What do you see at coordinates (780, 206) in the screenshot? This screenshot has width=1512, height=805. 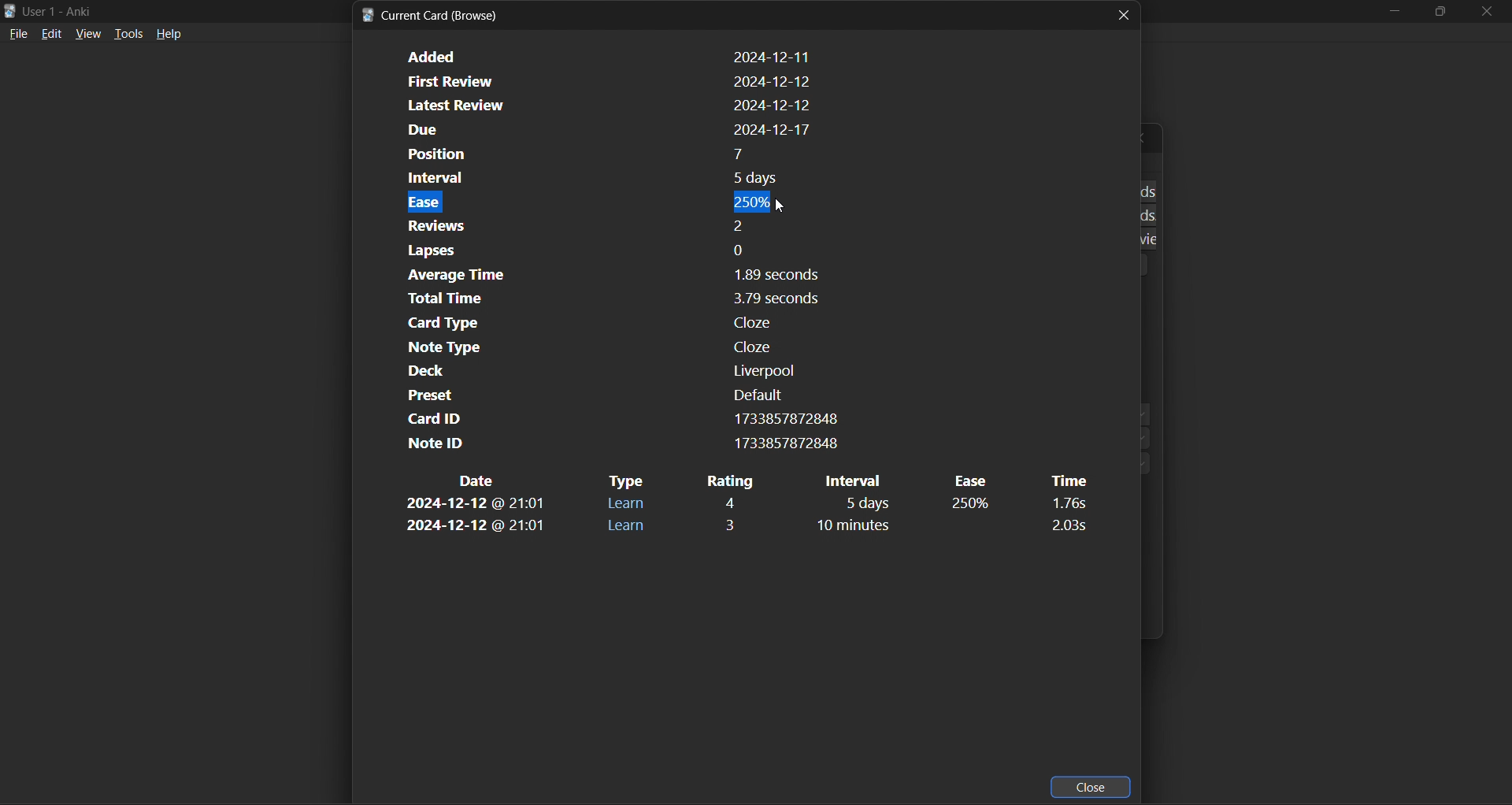 I see `cursor` at bounding box center [780, 206].